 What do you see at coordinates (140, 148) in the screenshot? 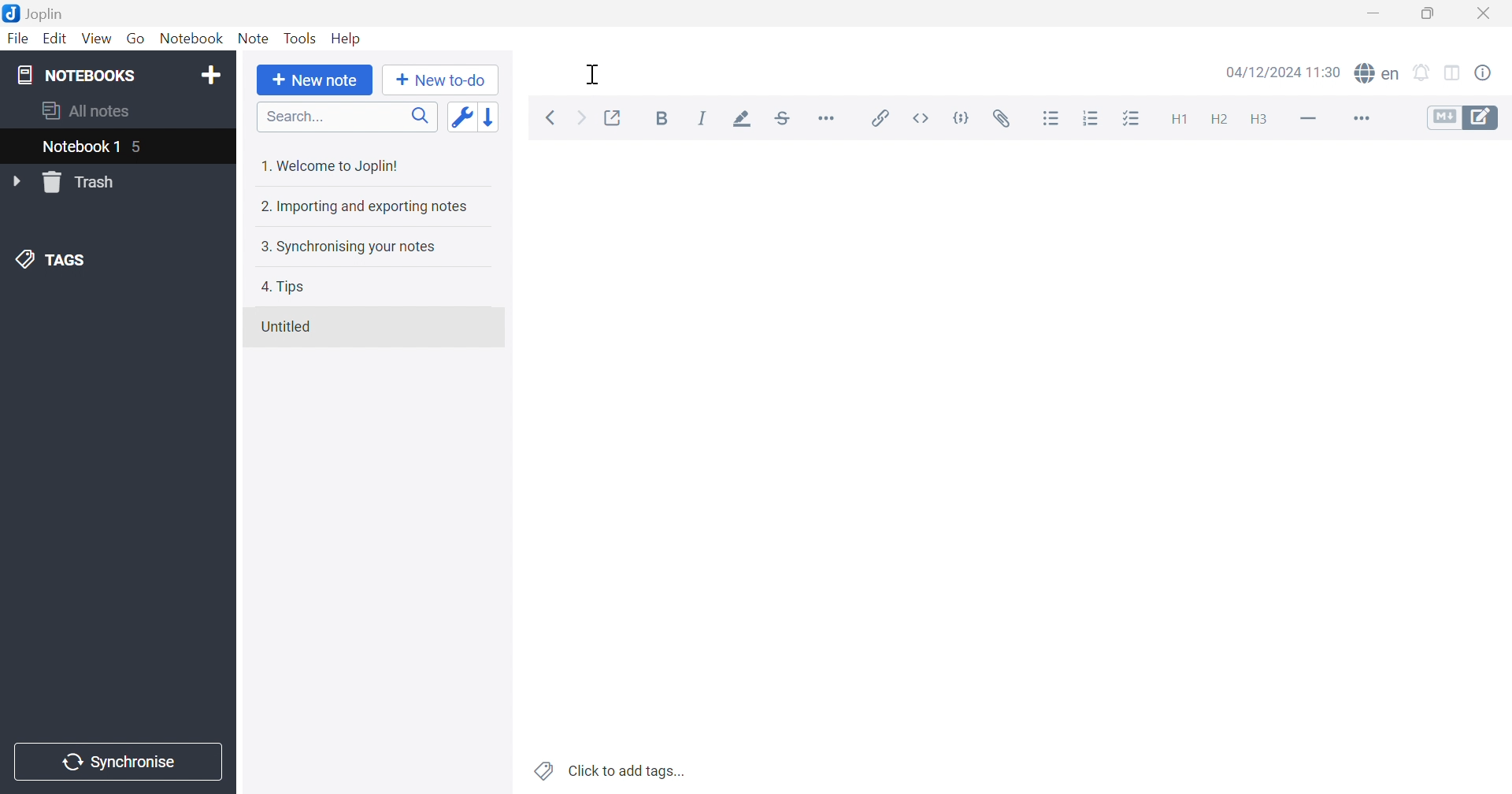
I see `5` at bounding box center [140, 148].